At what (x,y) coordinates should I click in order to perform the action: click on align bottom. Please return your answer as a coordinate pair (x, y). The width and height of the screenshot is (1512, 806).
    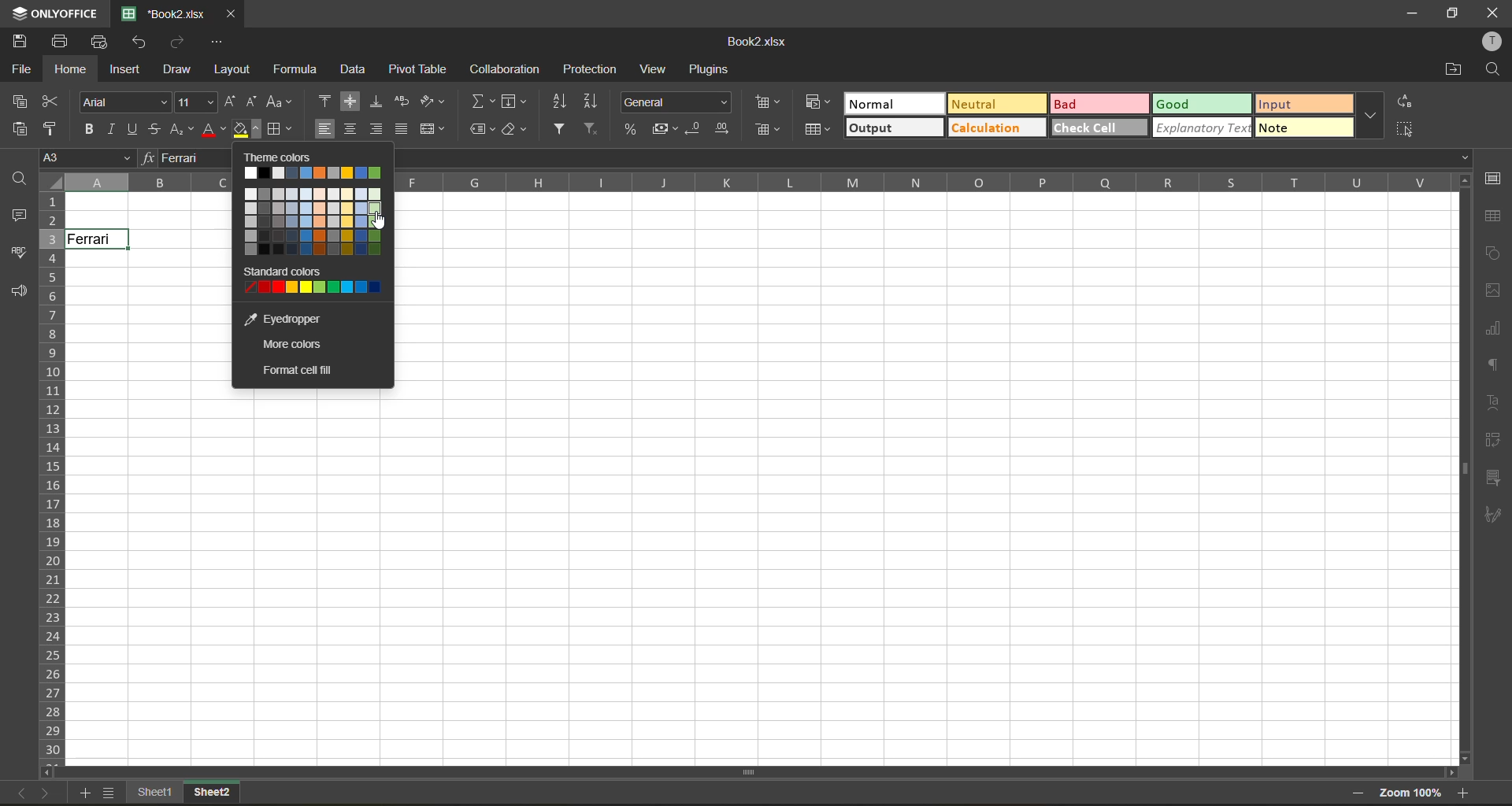
    Looking at the image, I should click on (377, 102).